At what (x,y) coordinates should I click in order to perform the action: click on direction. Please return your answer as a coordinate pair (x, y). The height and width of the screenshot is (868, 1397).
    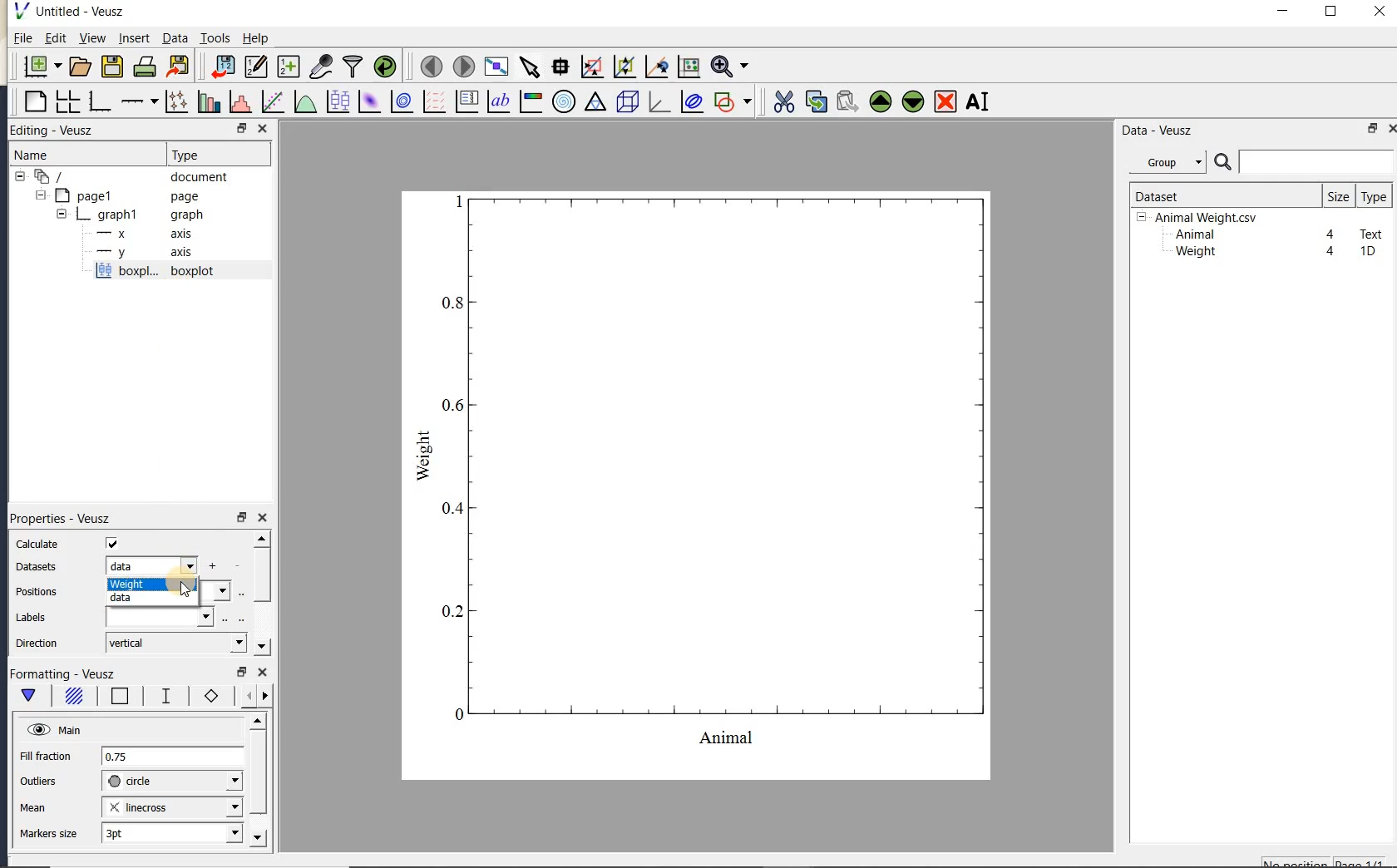
    Looking at the image, I should click on (39, 643).